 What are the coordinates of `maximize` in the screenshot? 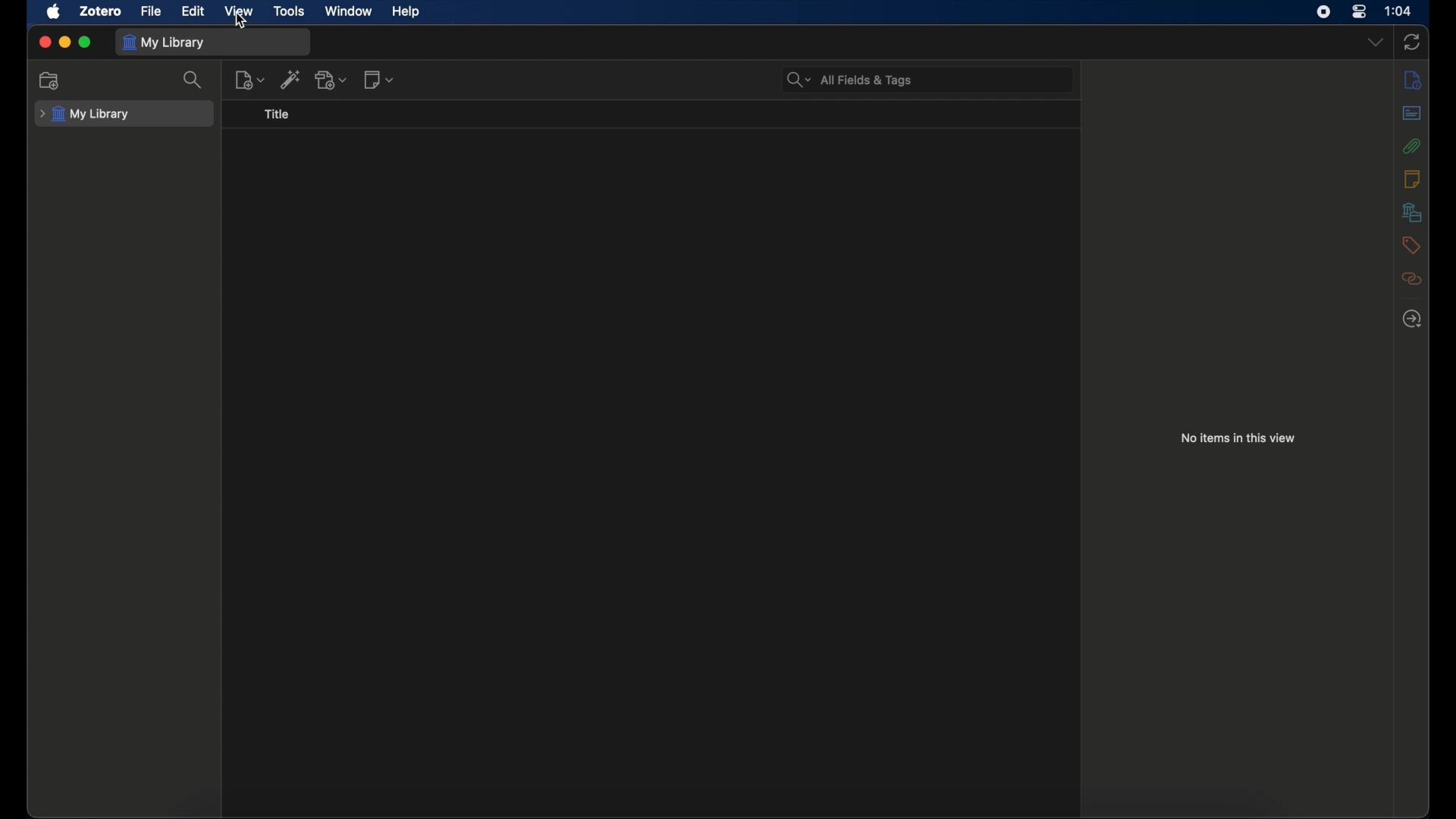 It's located at (85, 42).